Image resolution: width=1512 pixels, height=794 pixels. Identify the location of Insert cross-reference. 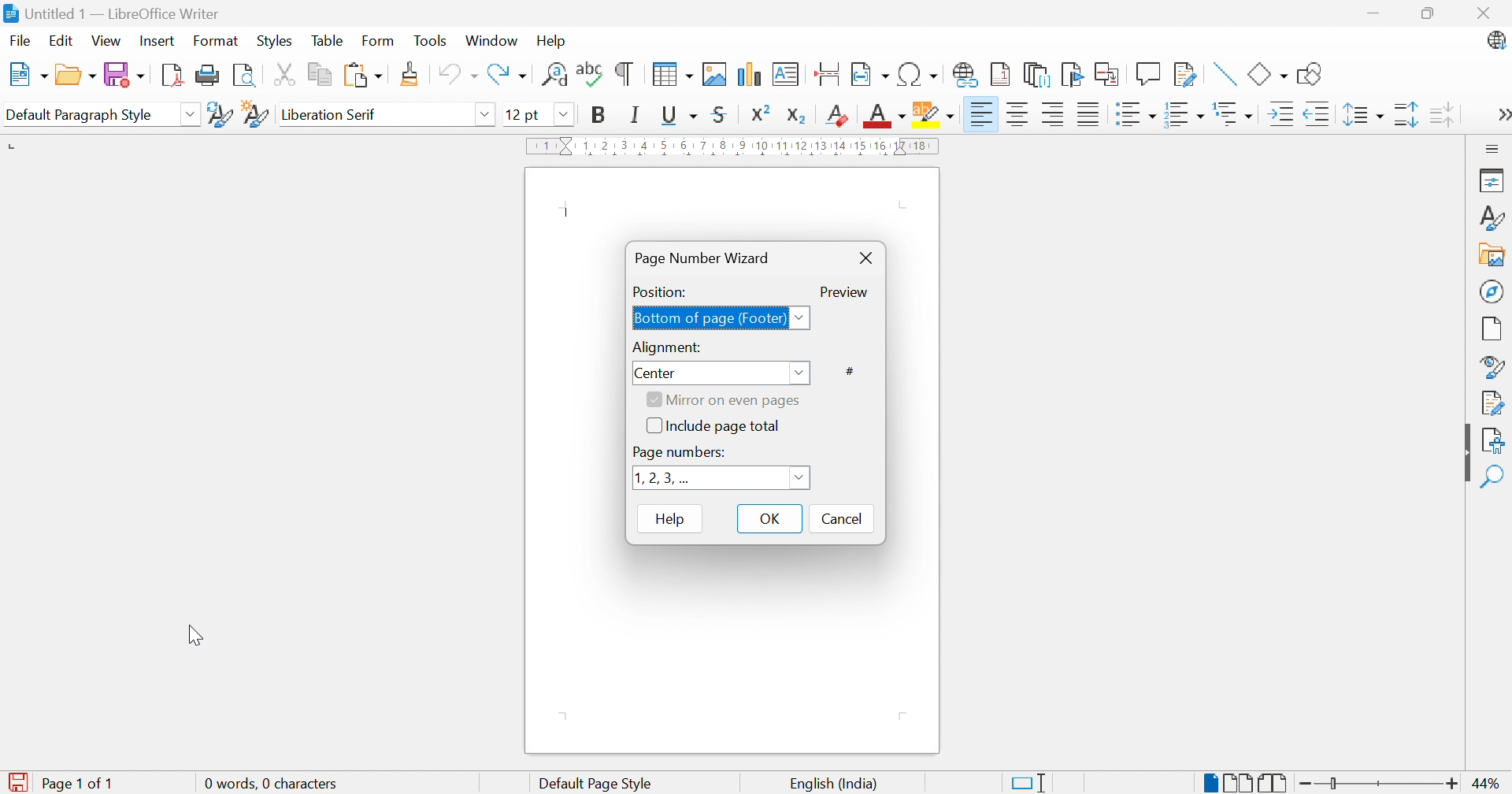
(1108, 74).